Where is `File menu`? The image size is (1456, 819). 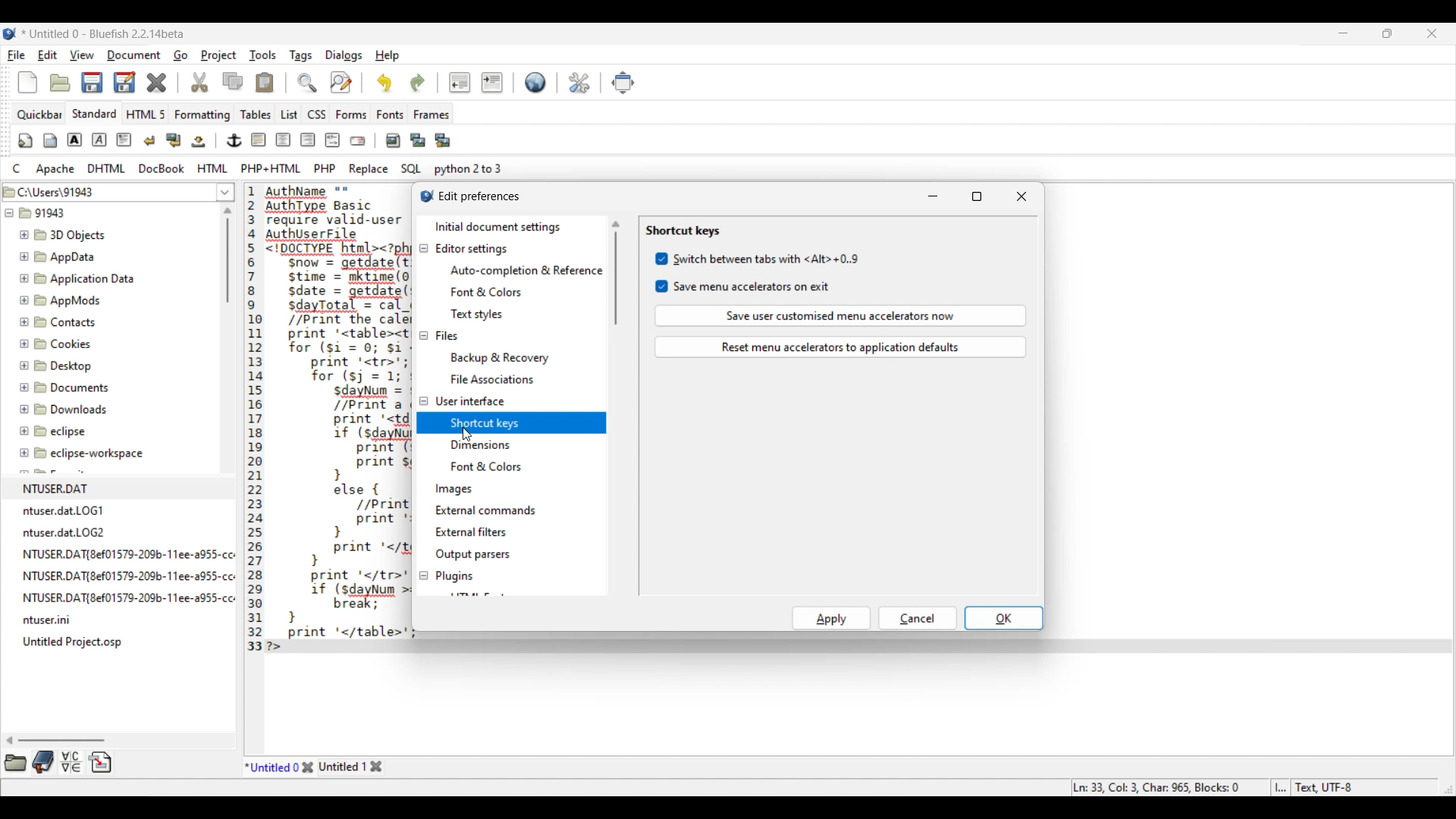
File menu is located at coordinates (17, 55).